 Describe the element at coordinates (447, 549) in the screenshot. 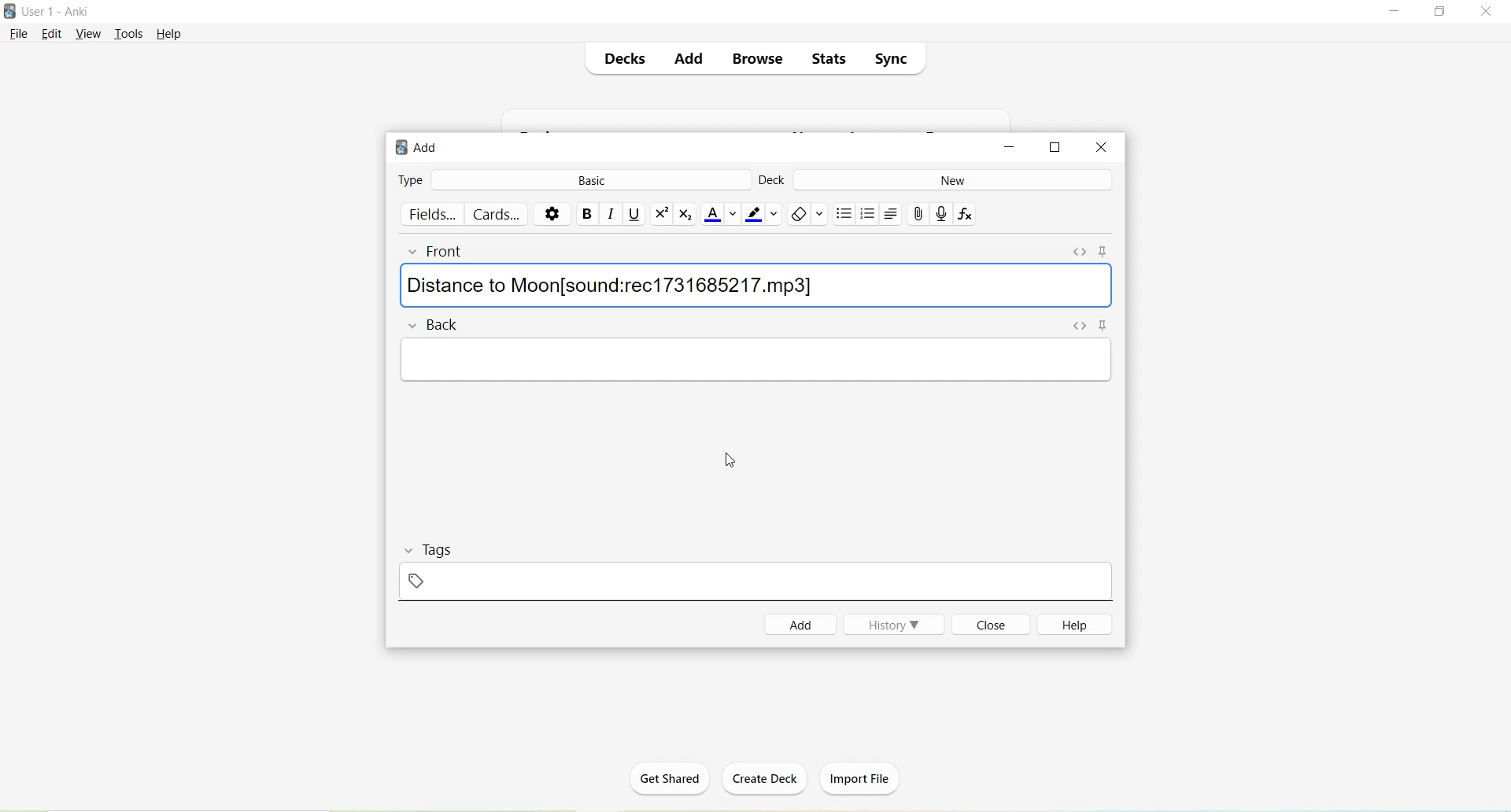

I see `Tags` at that location.